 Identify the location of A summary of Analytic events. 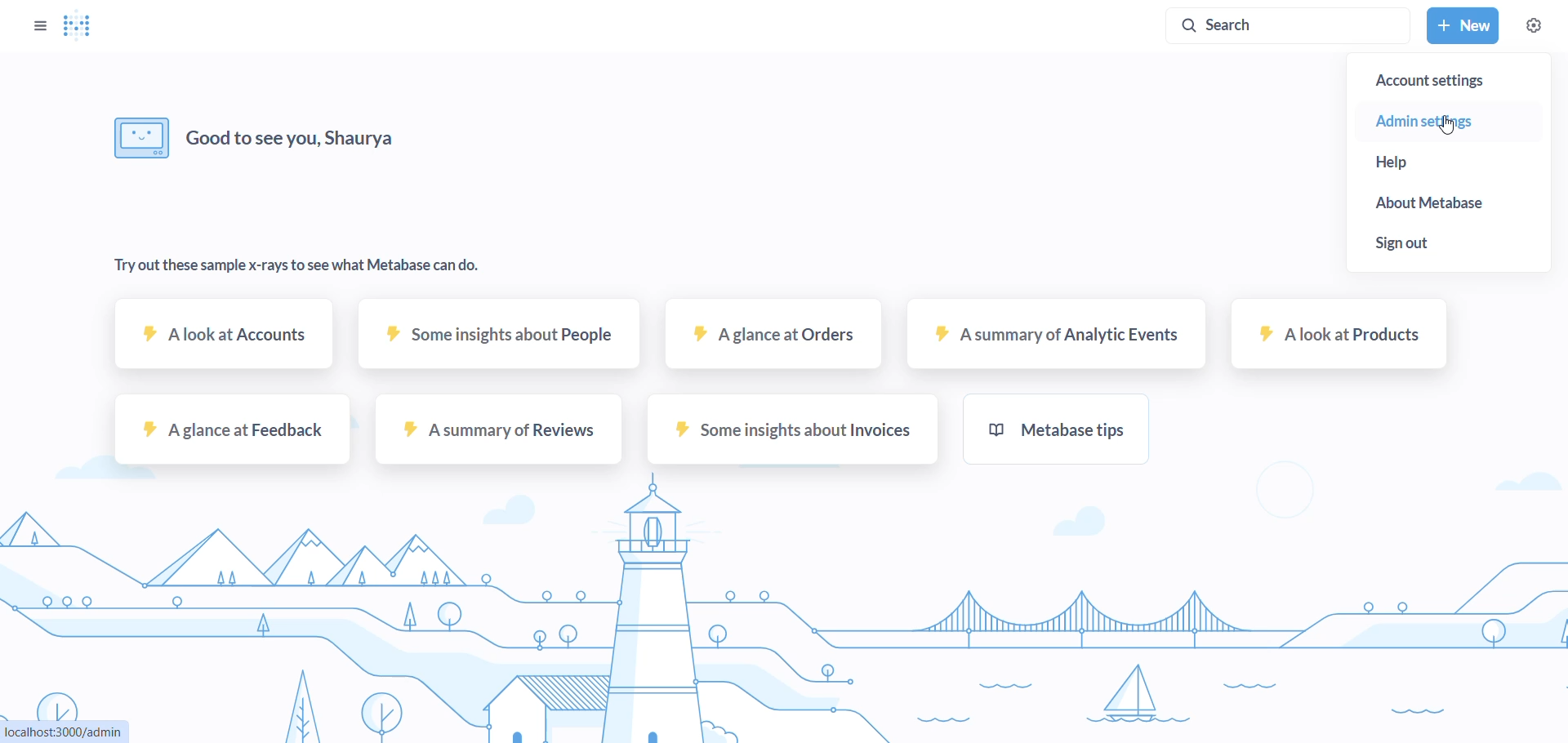
(1062, 341).